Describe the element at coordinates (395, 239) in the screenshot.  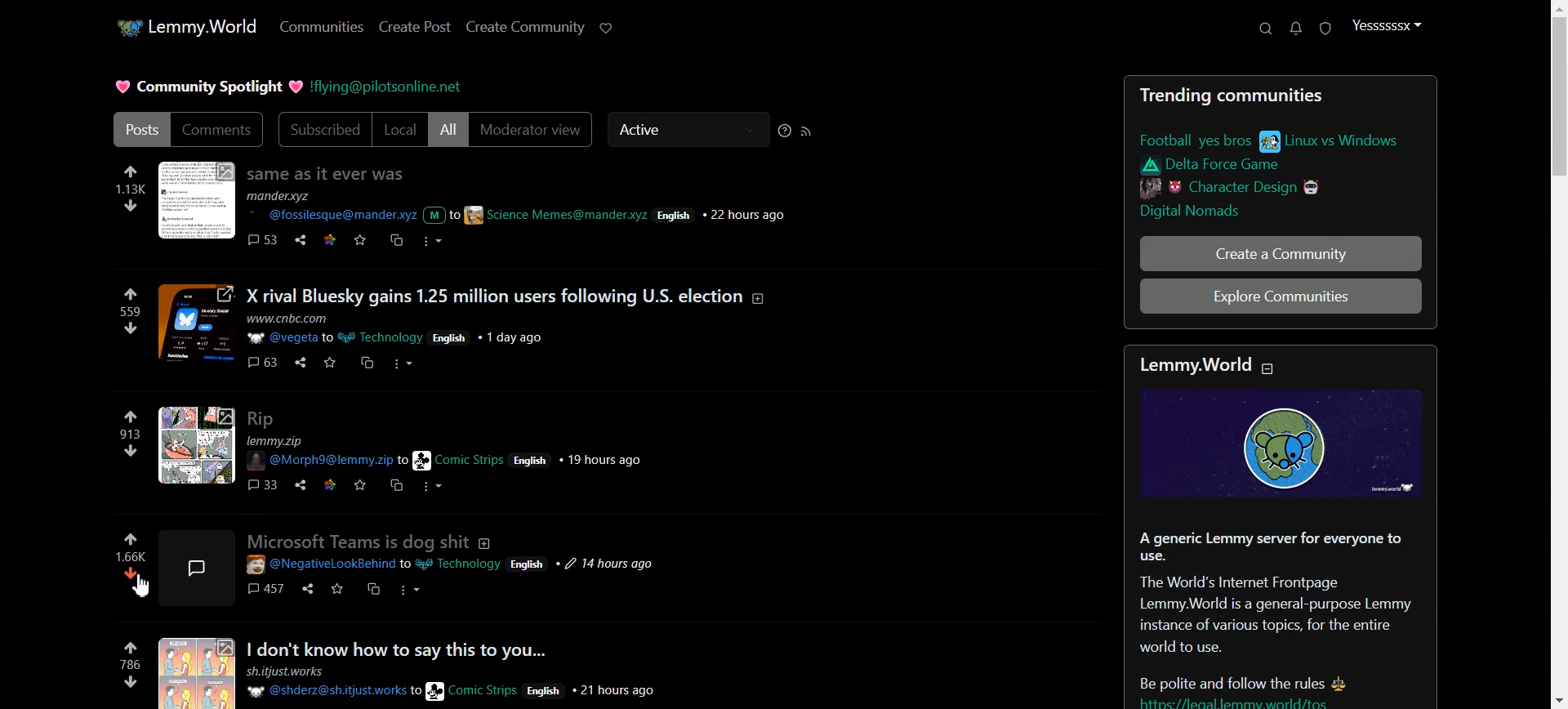
I see `cs` at that location.